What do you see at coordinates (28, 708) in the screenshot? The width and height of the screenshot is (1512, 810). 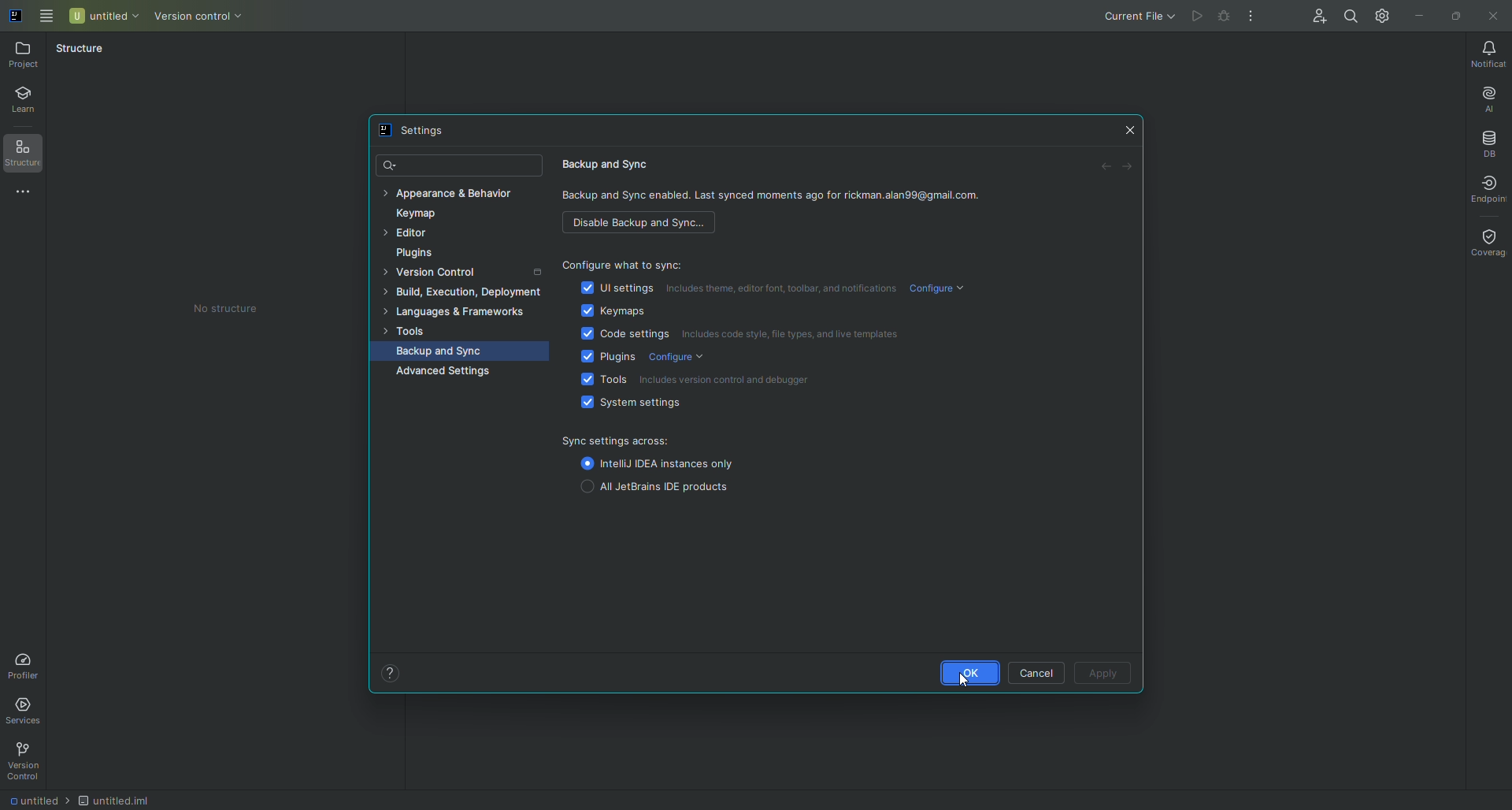 I see `Services` at bounding box center [28, 708].